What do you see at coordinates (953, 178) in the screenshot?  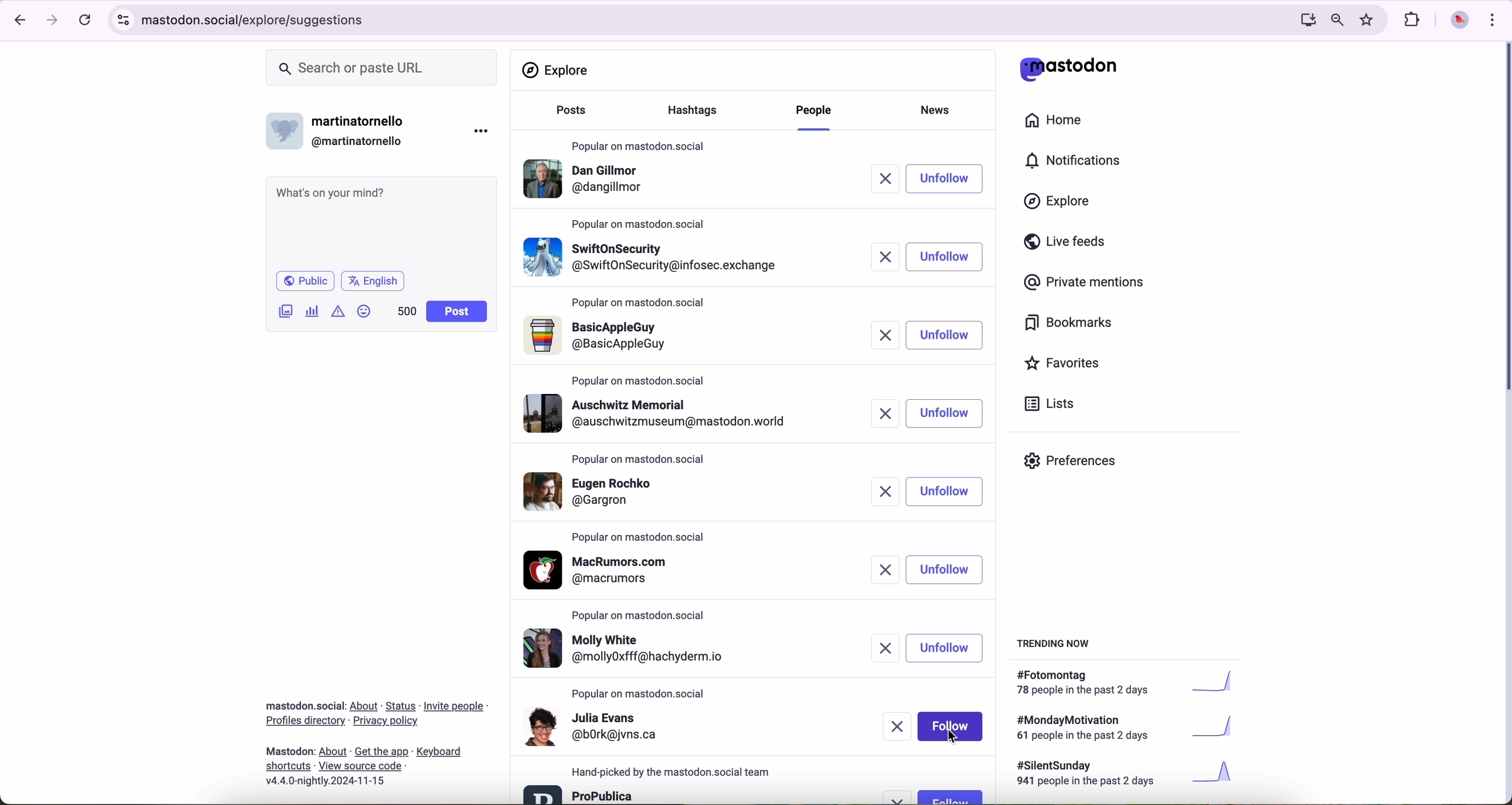 I see `click on follow button` at bounding box center [953, 178].